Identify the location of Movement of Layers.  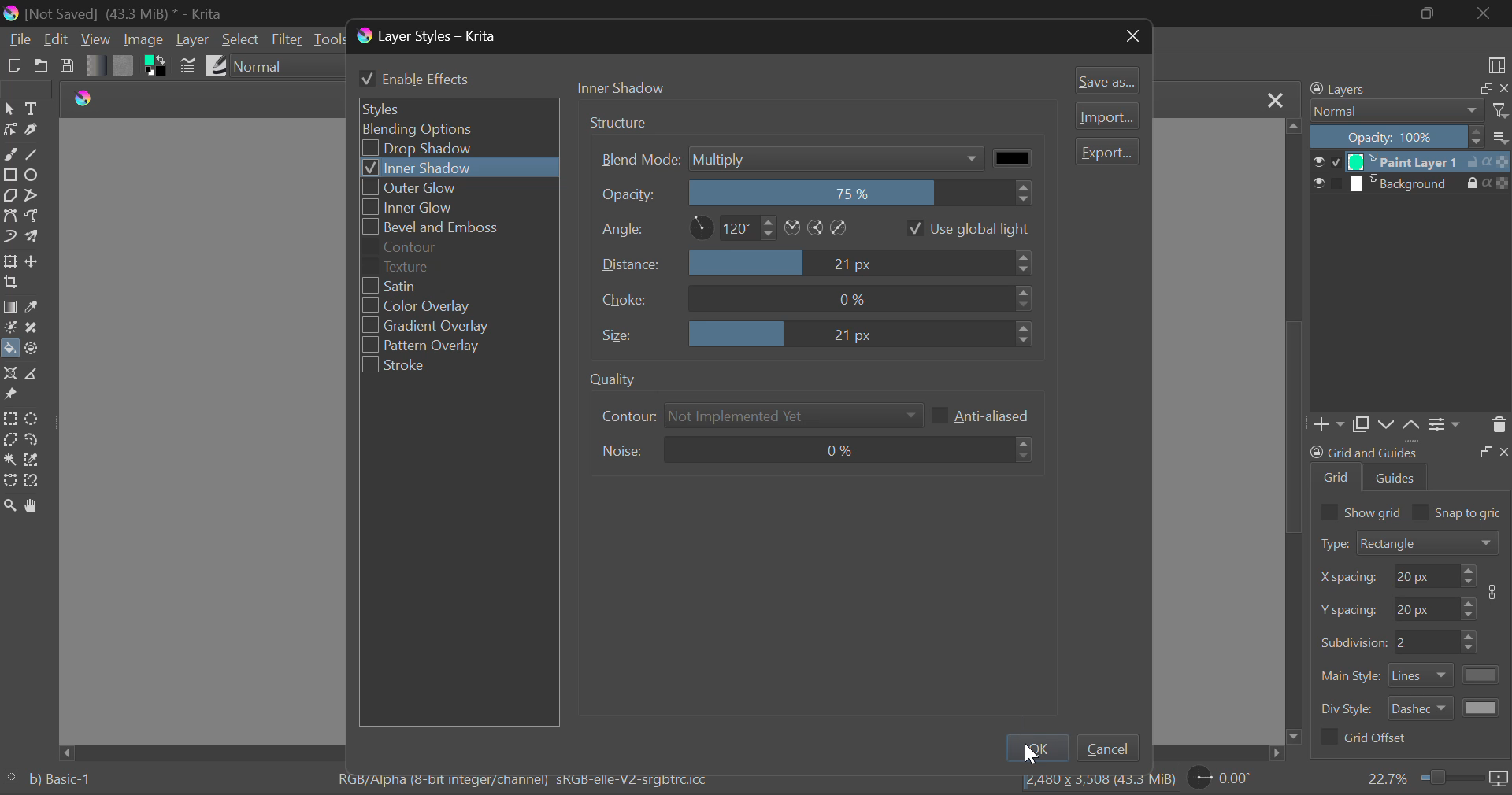
(1402, 426).